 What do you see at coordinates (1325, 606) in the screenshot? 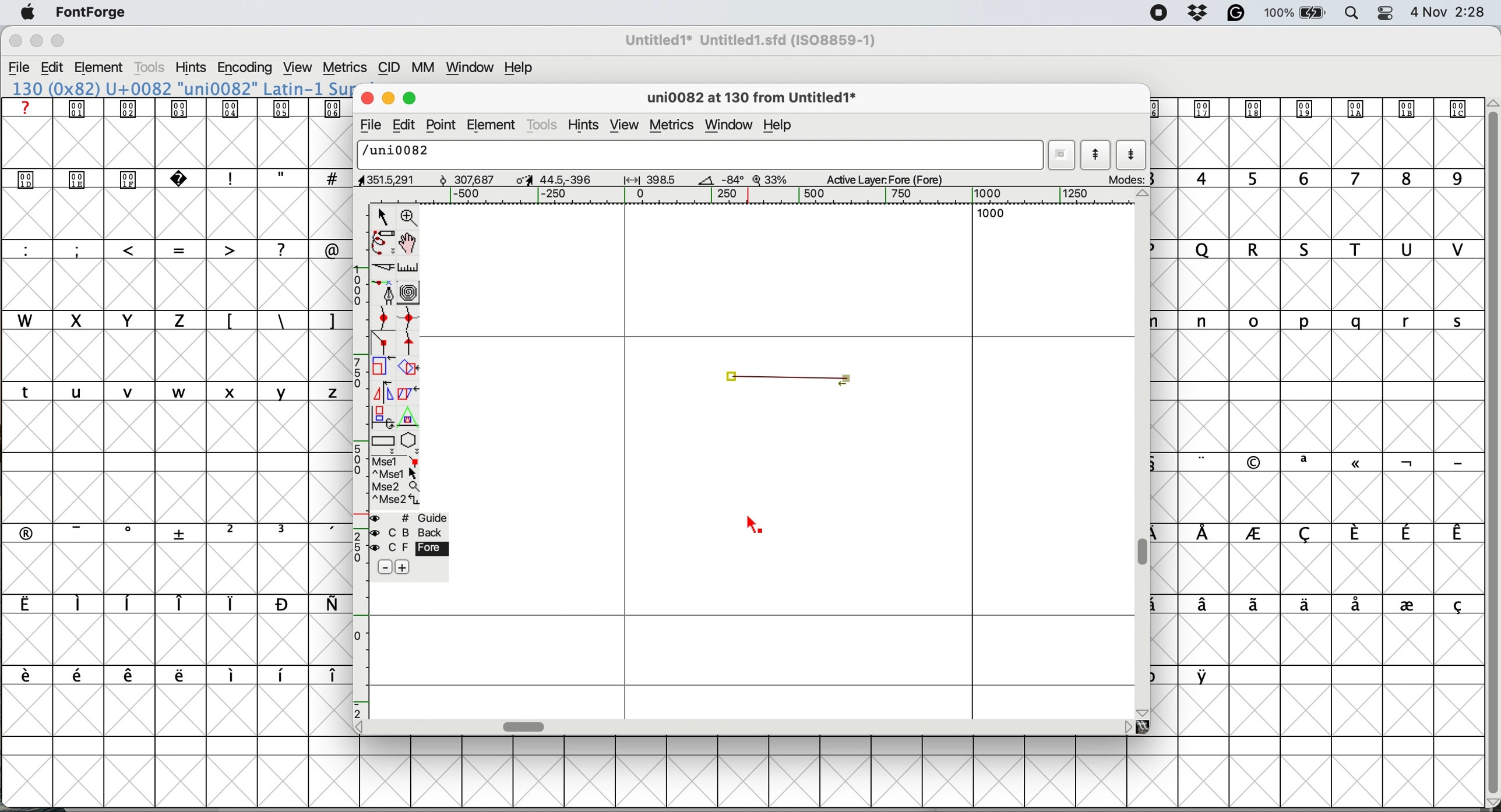
I see `symbols` at bounding box center [1325, 606].